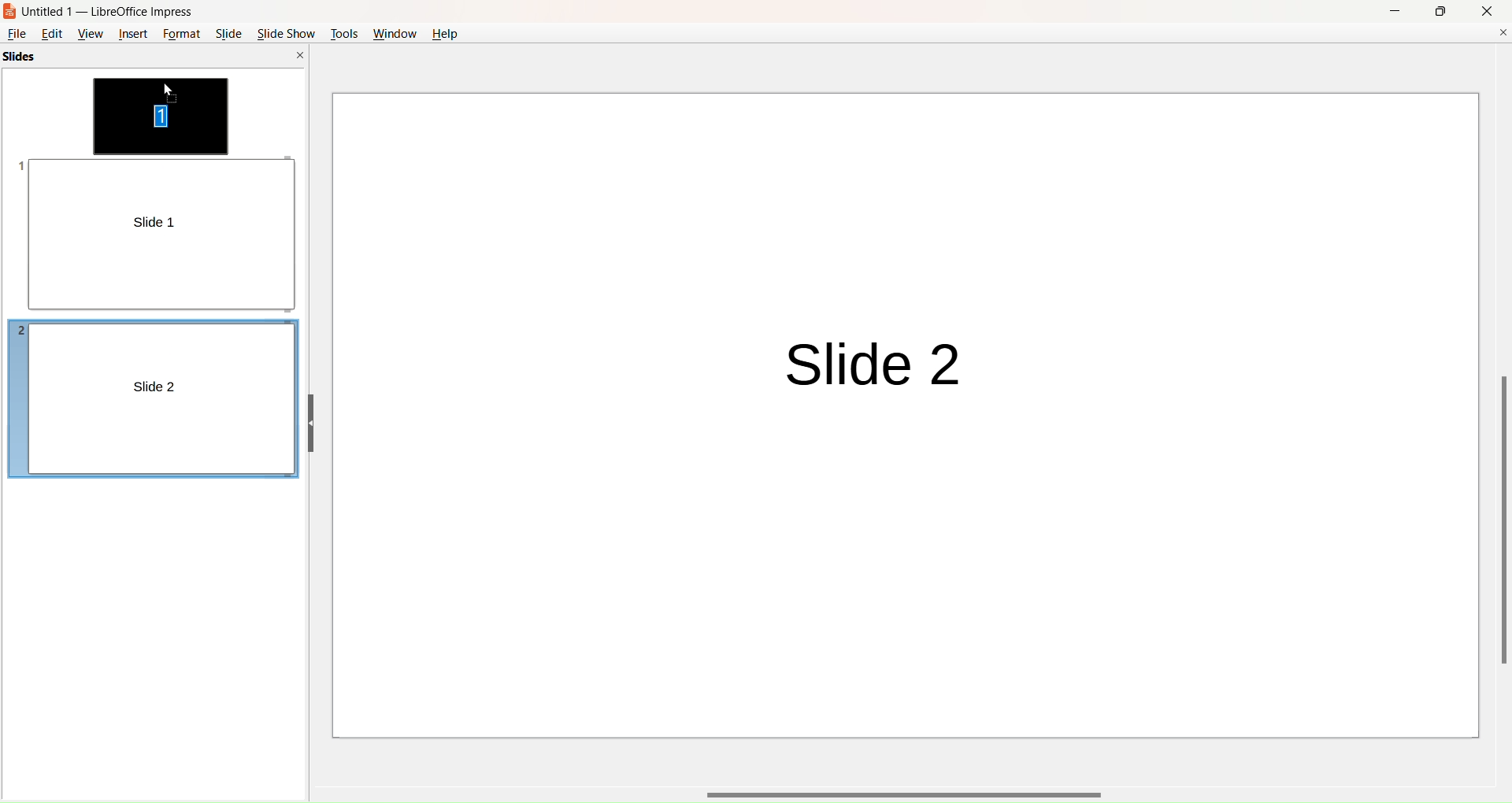 This screenshot has height=803, width=1512. I want to click on tools, so click(342, 32).